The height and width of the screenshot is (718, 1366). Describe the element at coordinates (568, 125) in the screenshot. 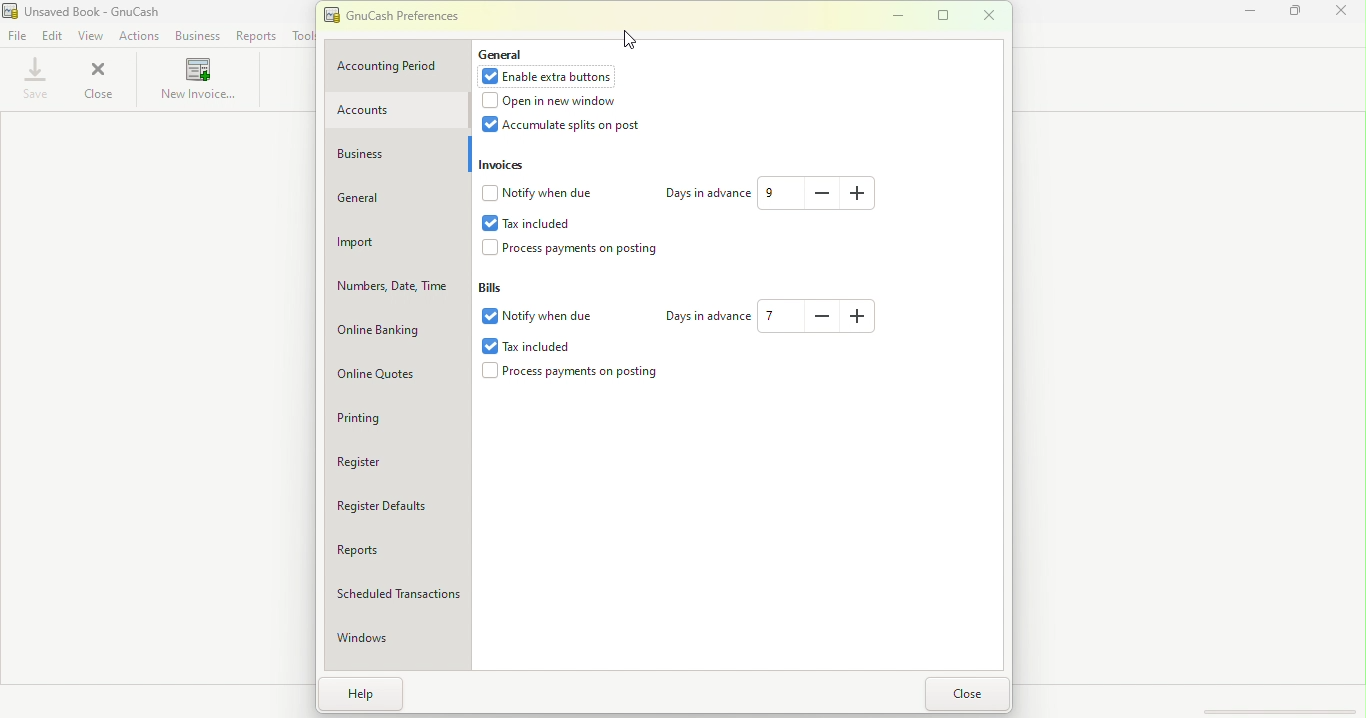

I see `Accumulate splits on post` at that location.